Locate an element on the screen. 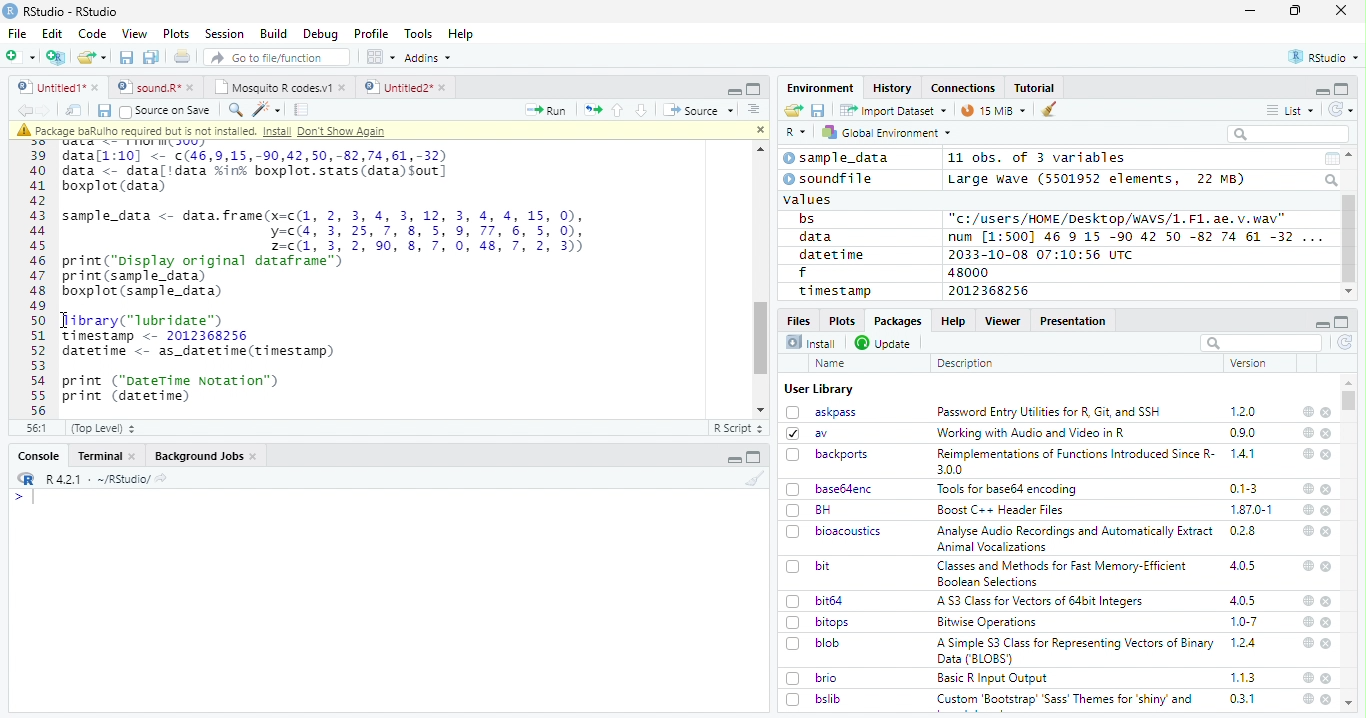 This screenshot has height=718, width=1366. scroll up is located at coordinates (757, 150).